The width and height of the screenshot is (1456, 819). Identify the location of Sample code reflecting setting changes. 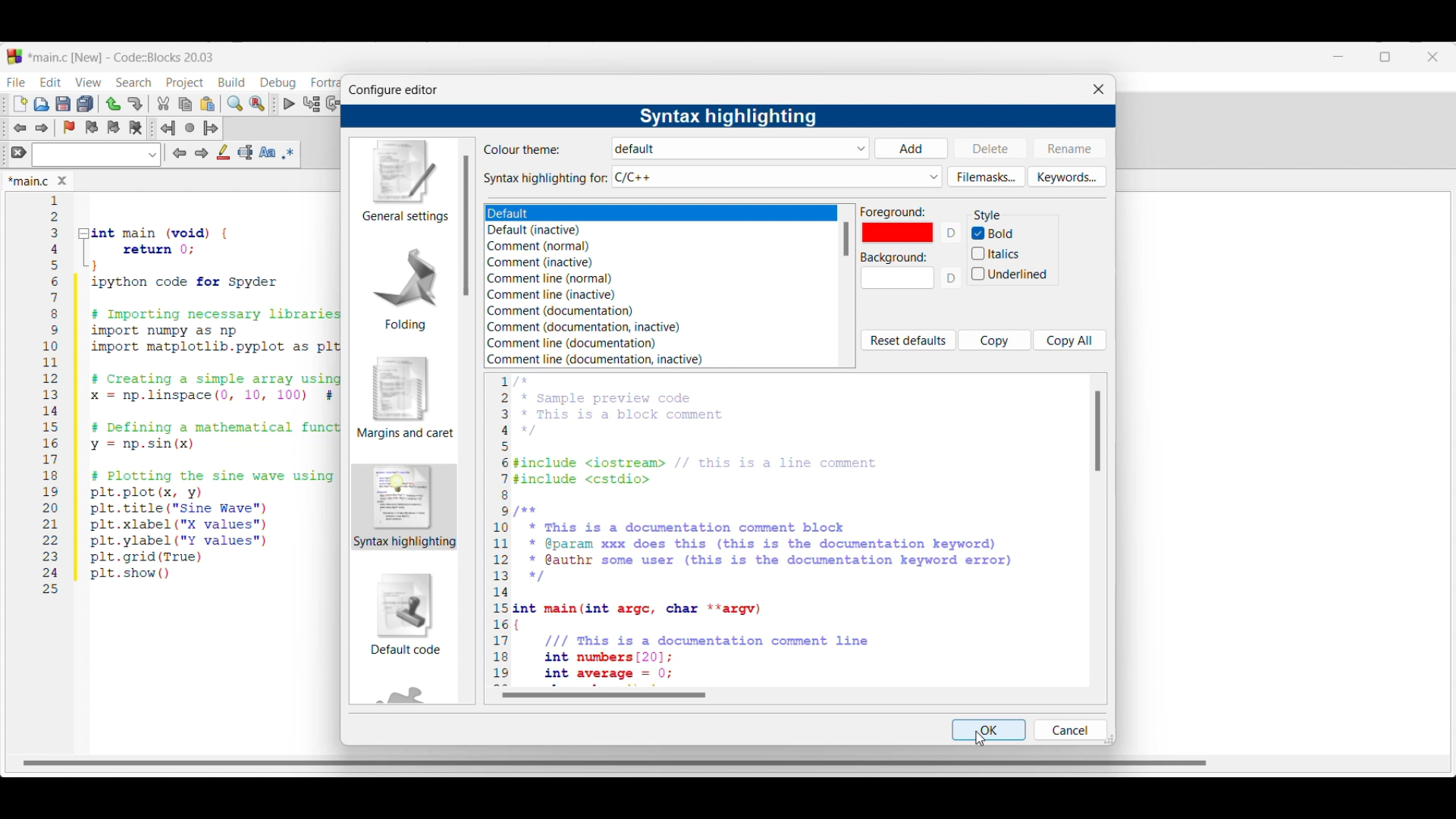
(786, 531).